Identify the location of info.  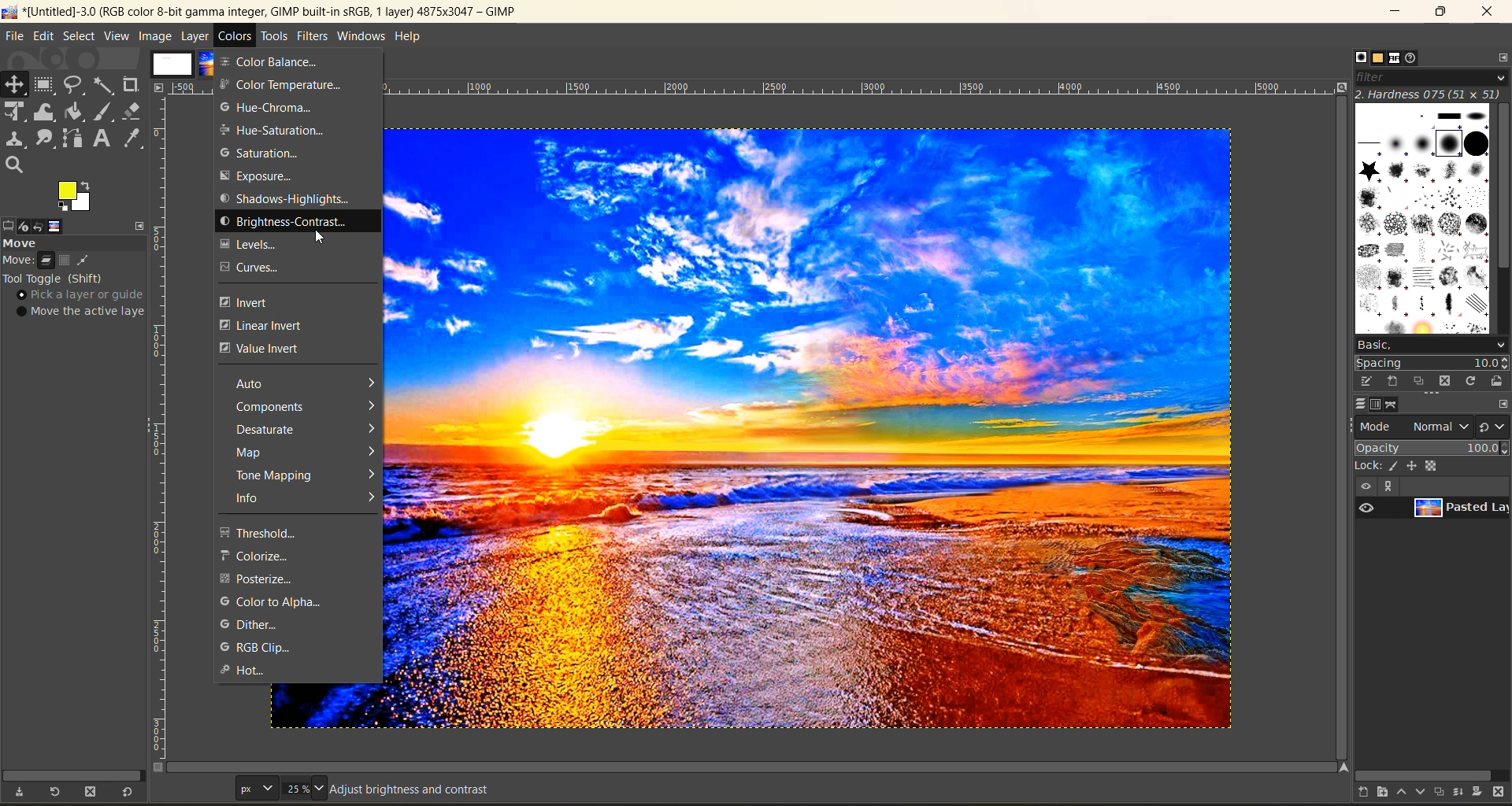
(307, 497).